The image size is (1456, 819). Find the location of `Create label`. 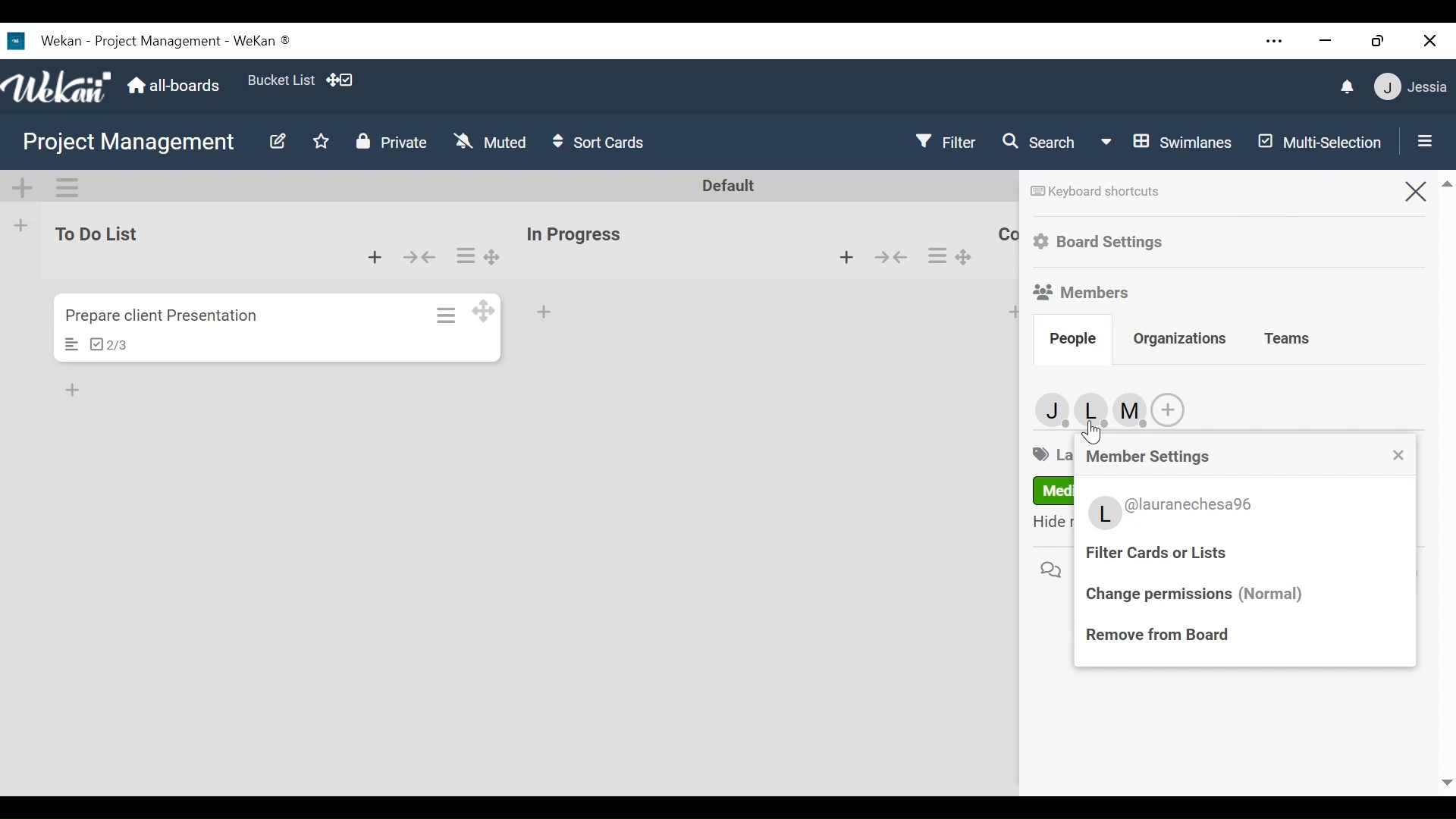

Create label is located at coordinates (1167, 410).